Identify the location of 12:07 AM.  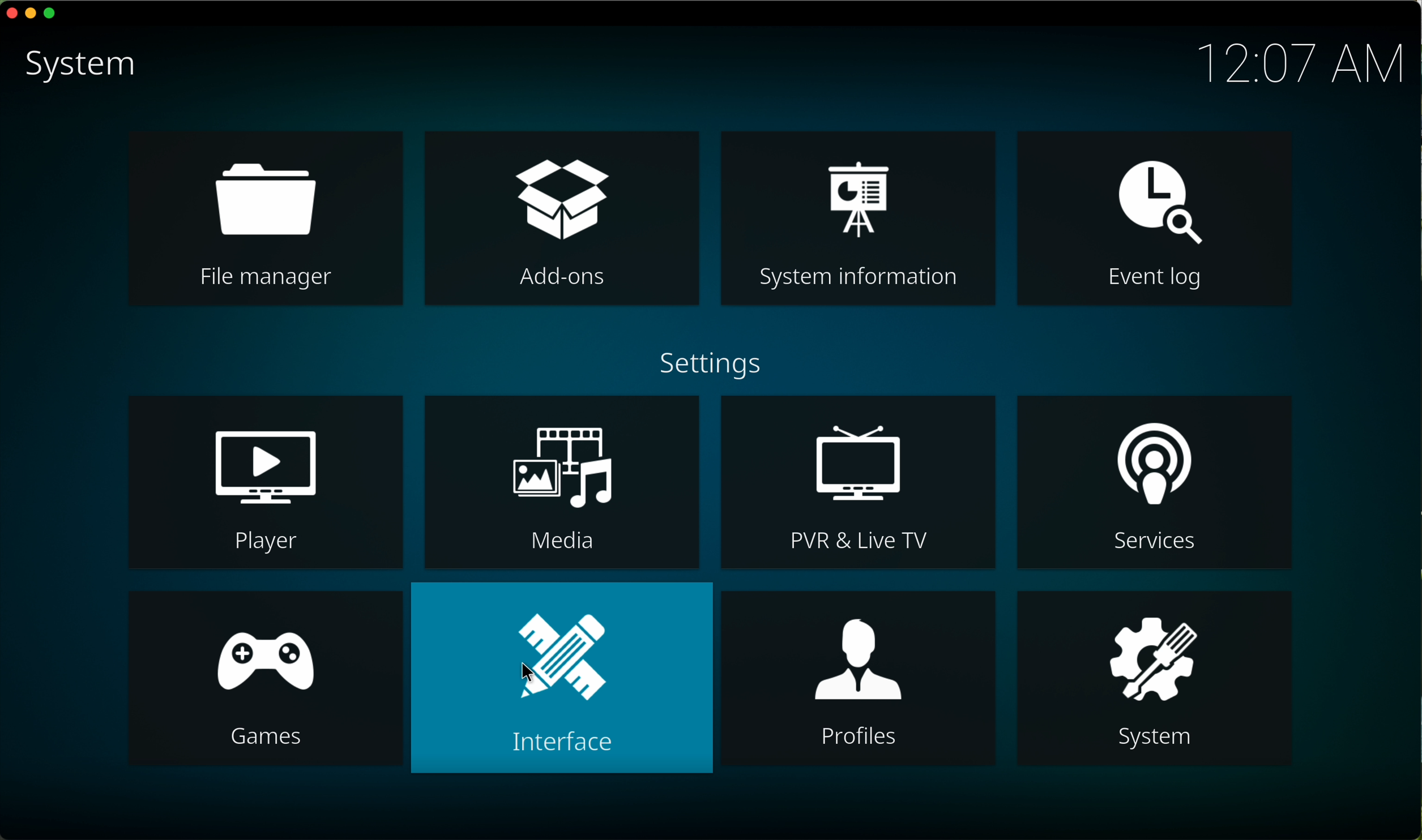
(1302, 62).